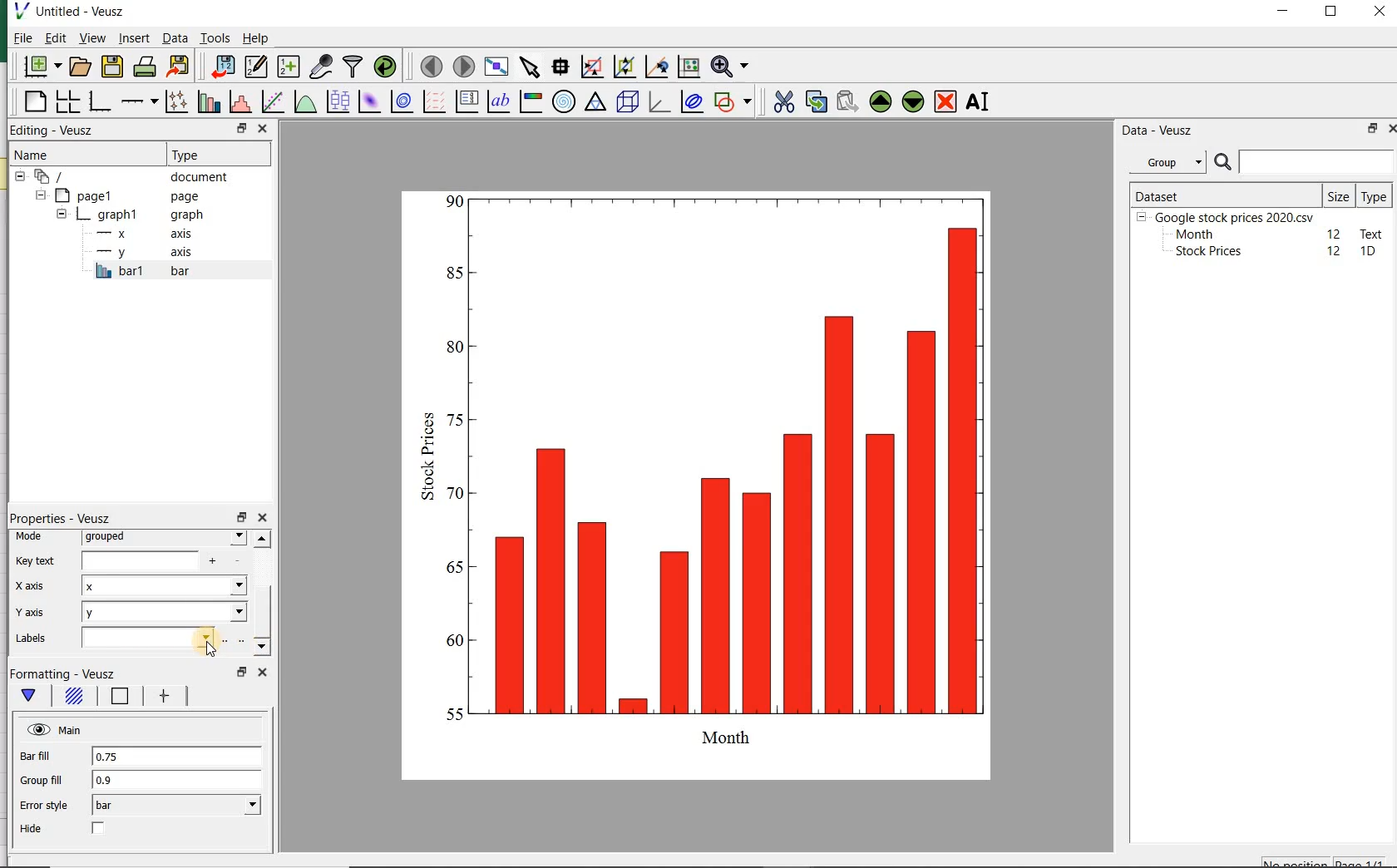 The width and height of the screenshot is (1397, 868). I want to click on renames the selected widget, so click(975, 104).